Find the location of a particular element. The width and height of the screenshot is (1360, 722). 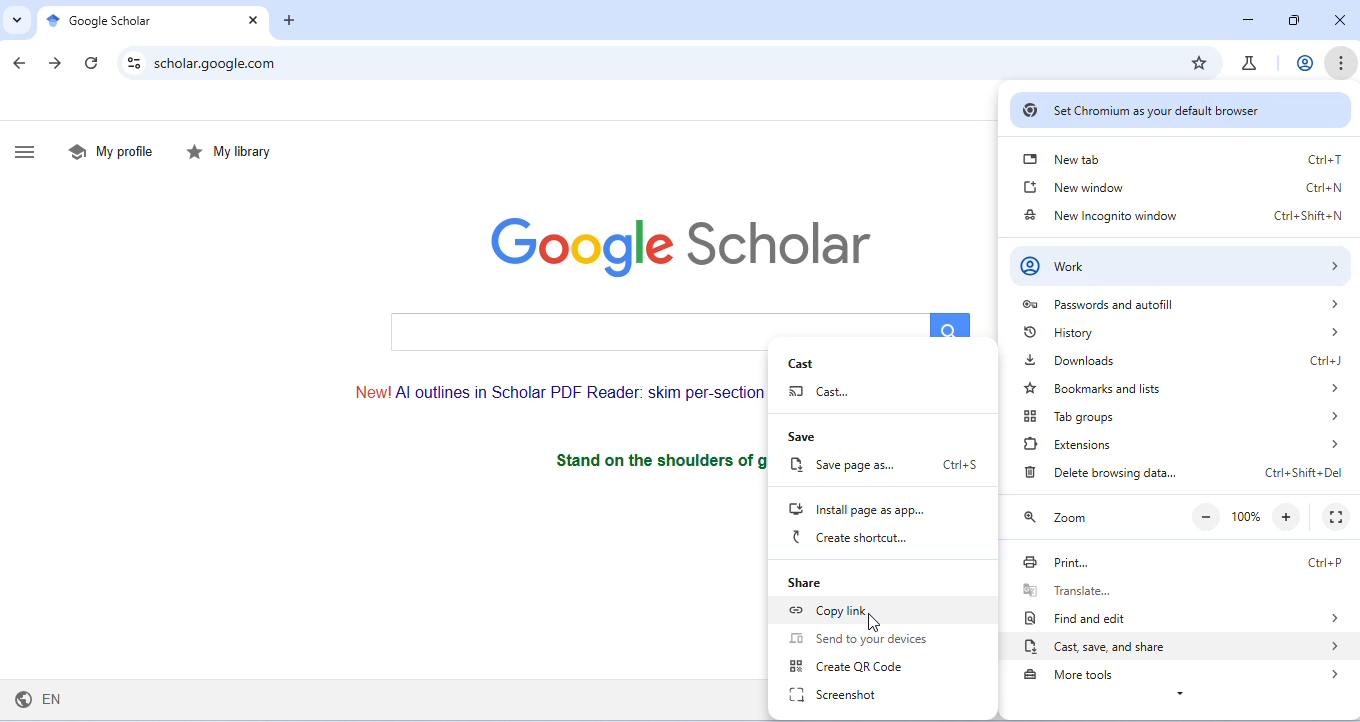

print is located at coordinates (1184, 562).